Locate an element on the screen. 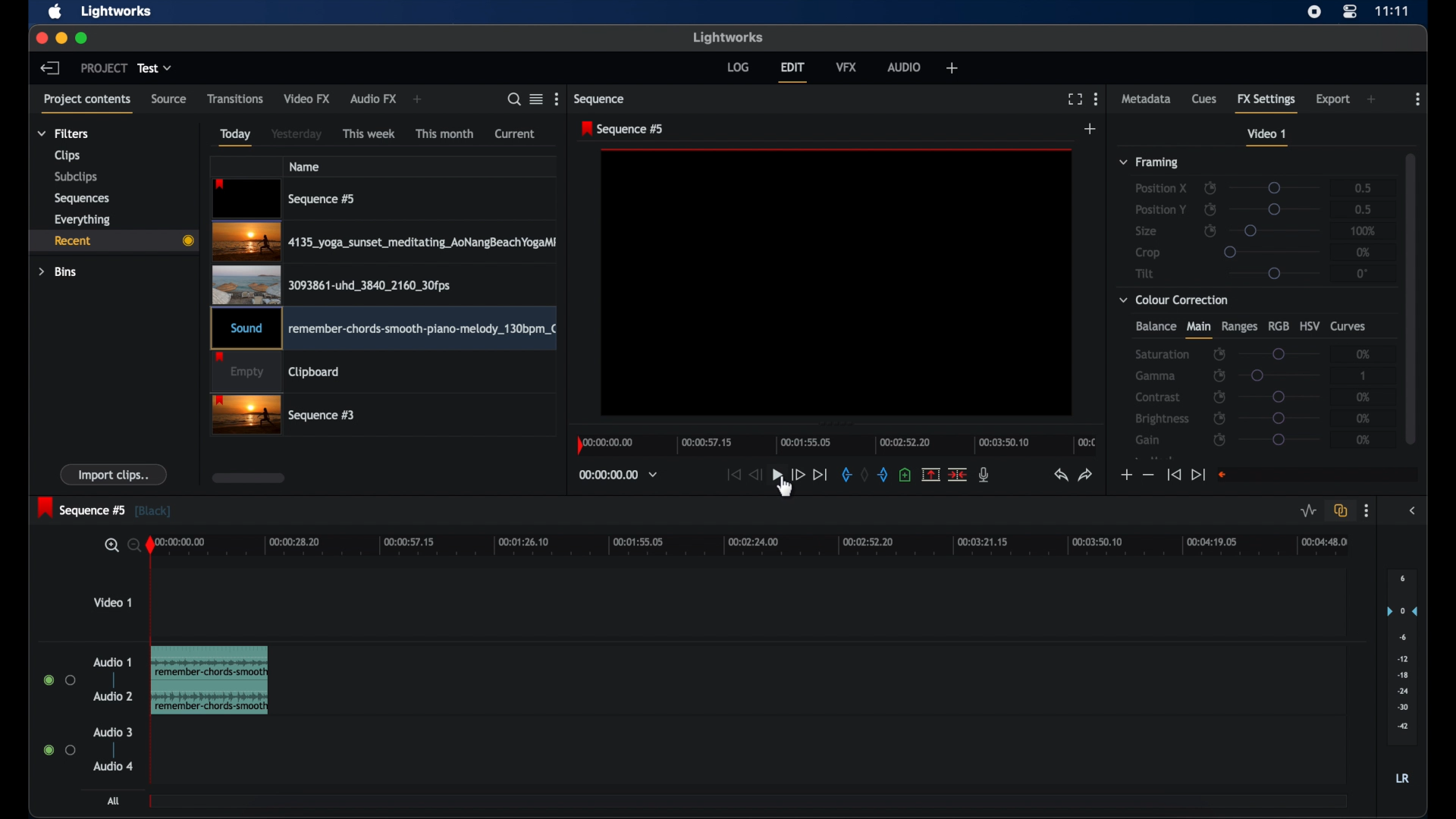  position y is located at coordinates (1160, 209).